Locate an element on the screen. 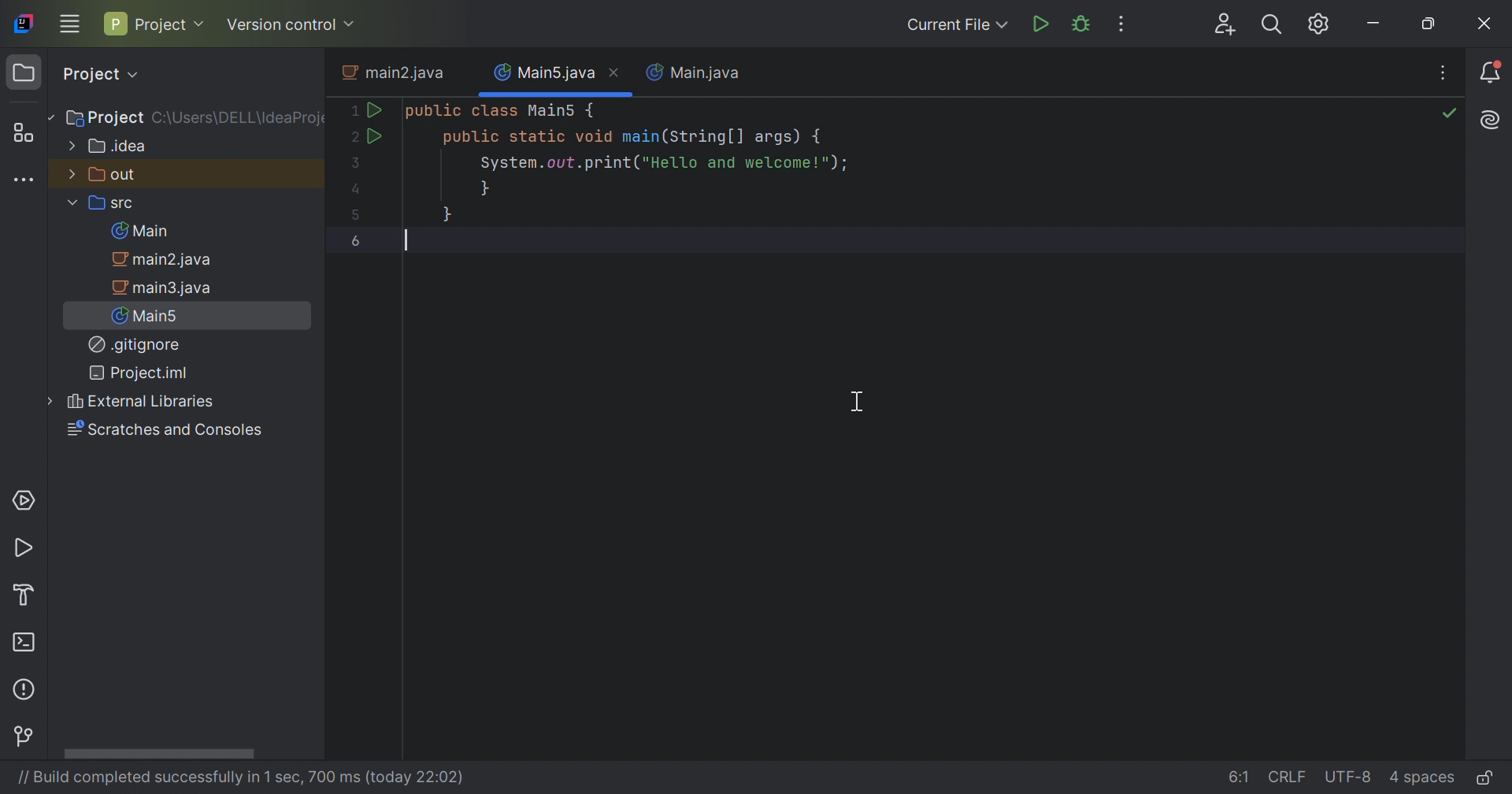 This screenshot has width=1512, height=794. public static Main5 { is located at coordinates (502, 111).